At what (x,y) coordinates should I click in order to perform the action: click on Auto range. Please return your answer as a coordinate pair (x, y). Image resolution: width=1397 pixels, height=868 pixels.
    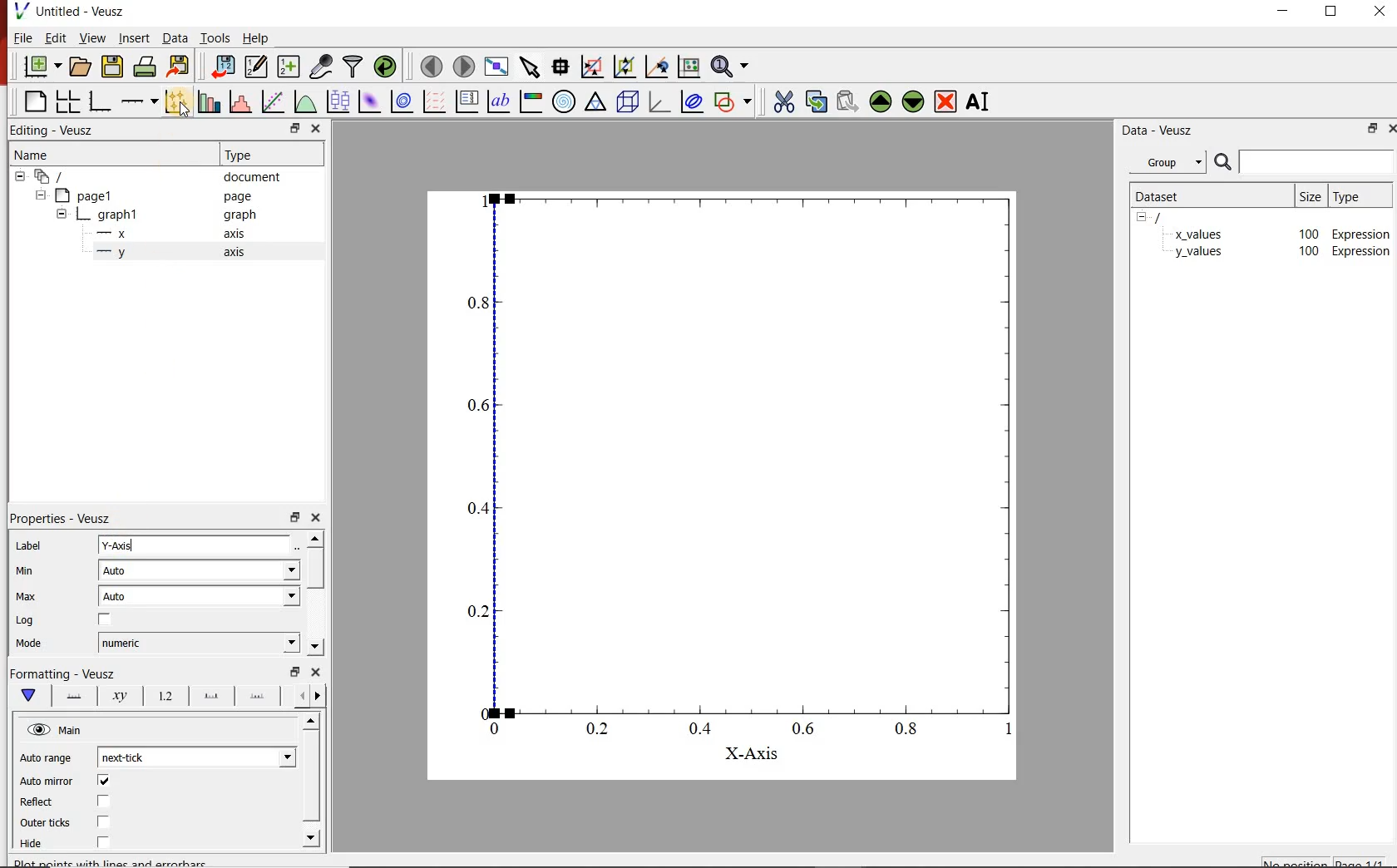
    Looking at the image, I should click on (47, 757).